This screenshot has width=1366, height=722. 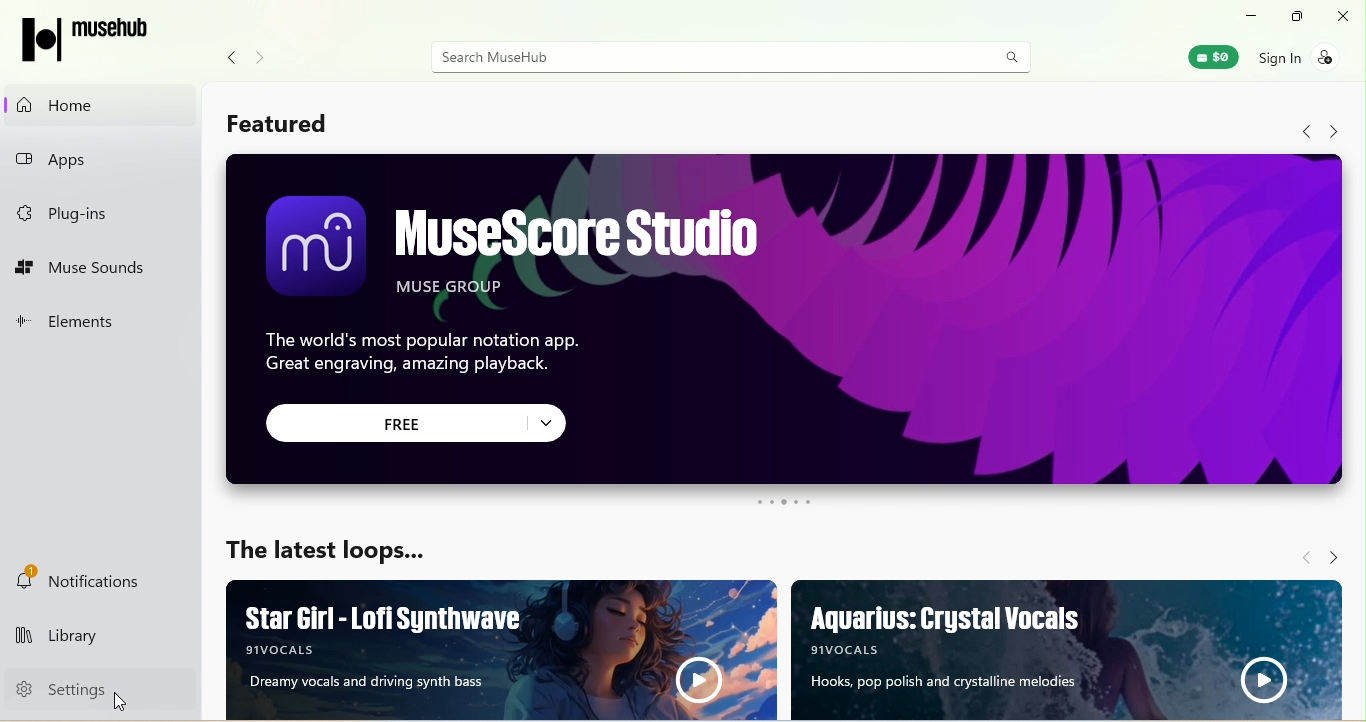 I want to click on The latest loops, so click(x=322, y=549).